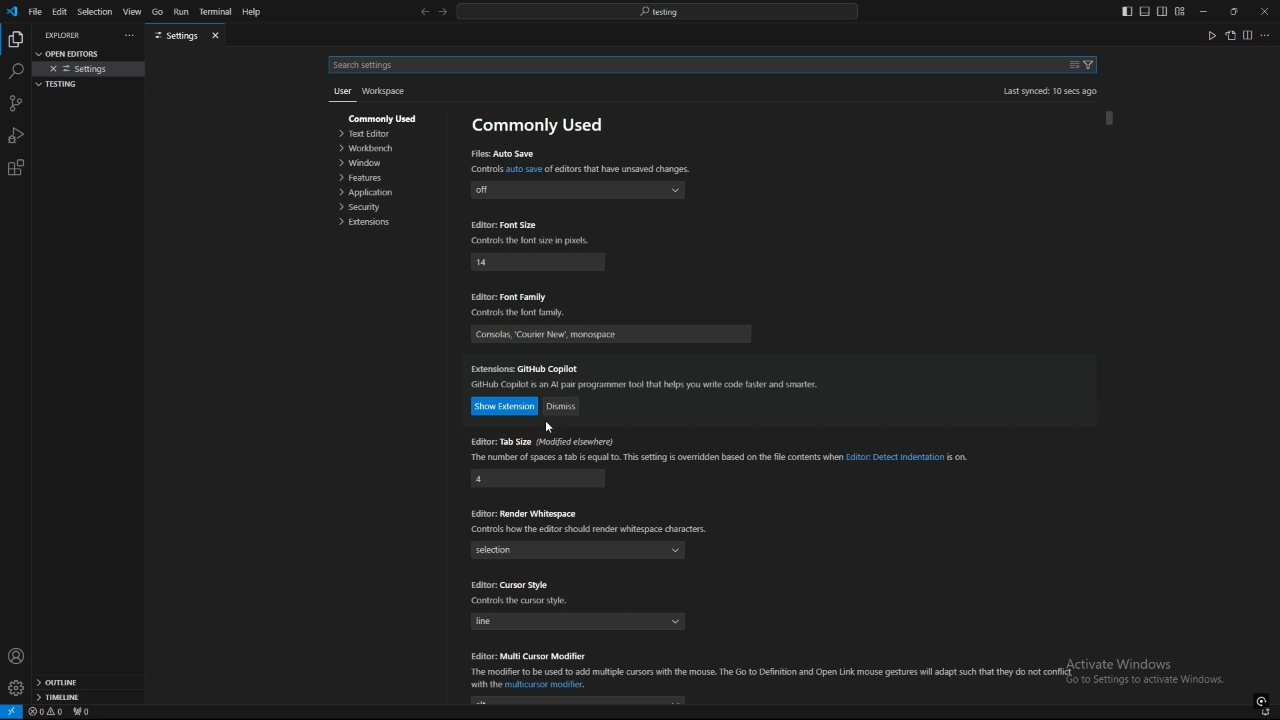  I want to click on info, so click(770, 678).